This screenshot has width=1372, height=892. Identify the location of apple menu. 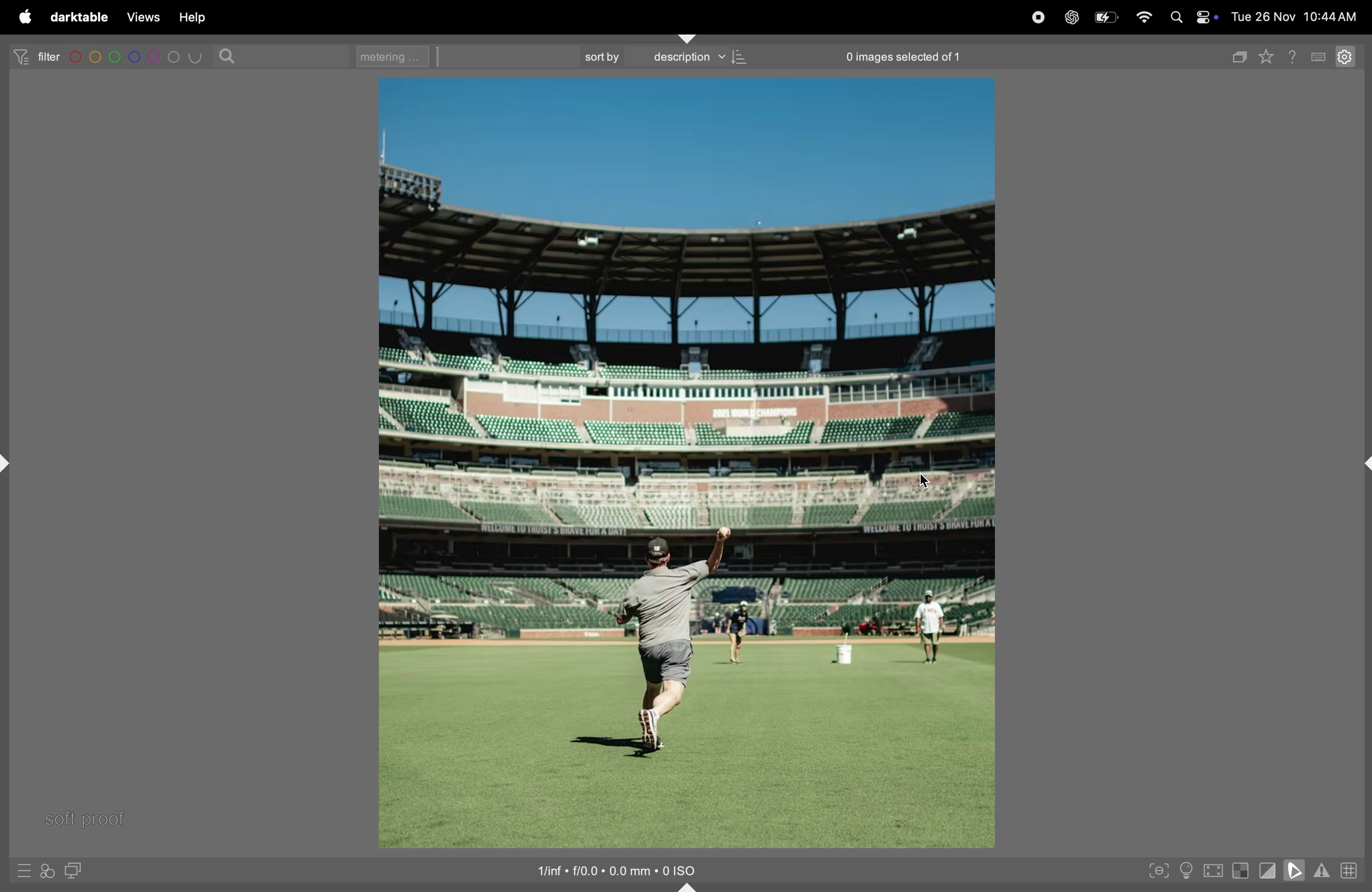
(24, 17).